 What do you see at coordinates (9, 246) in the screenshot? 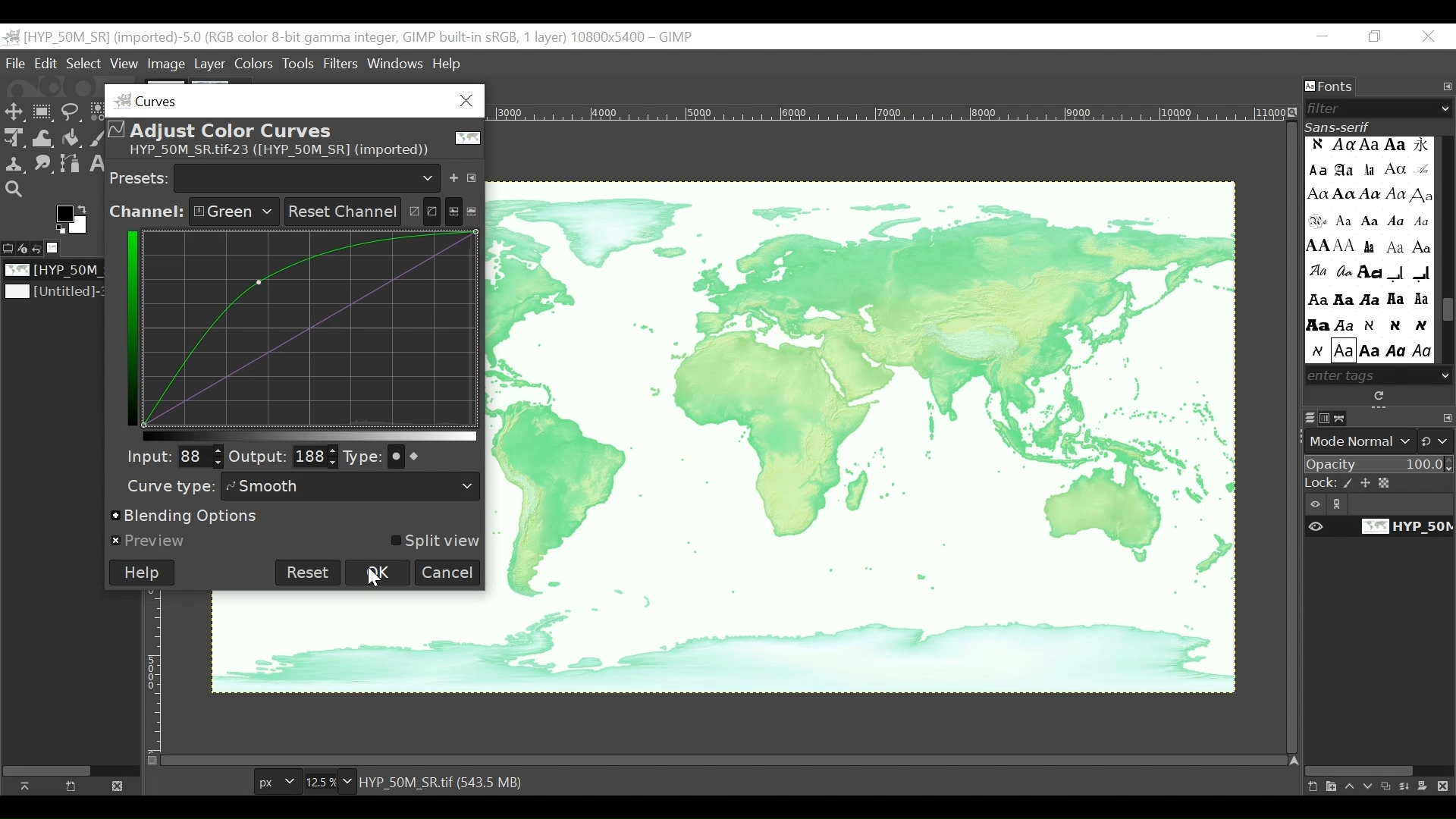
I see `Tool options` at bounding box center [9, 246].